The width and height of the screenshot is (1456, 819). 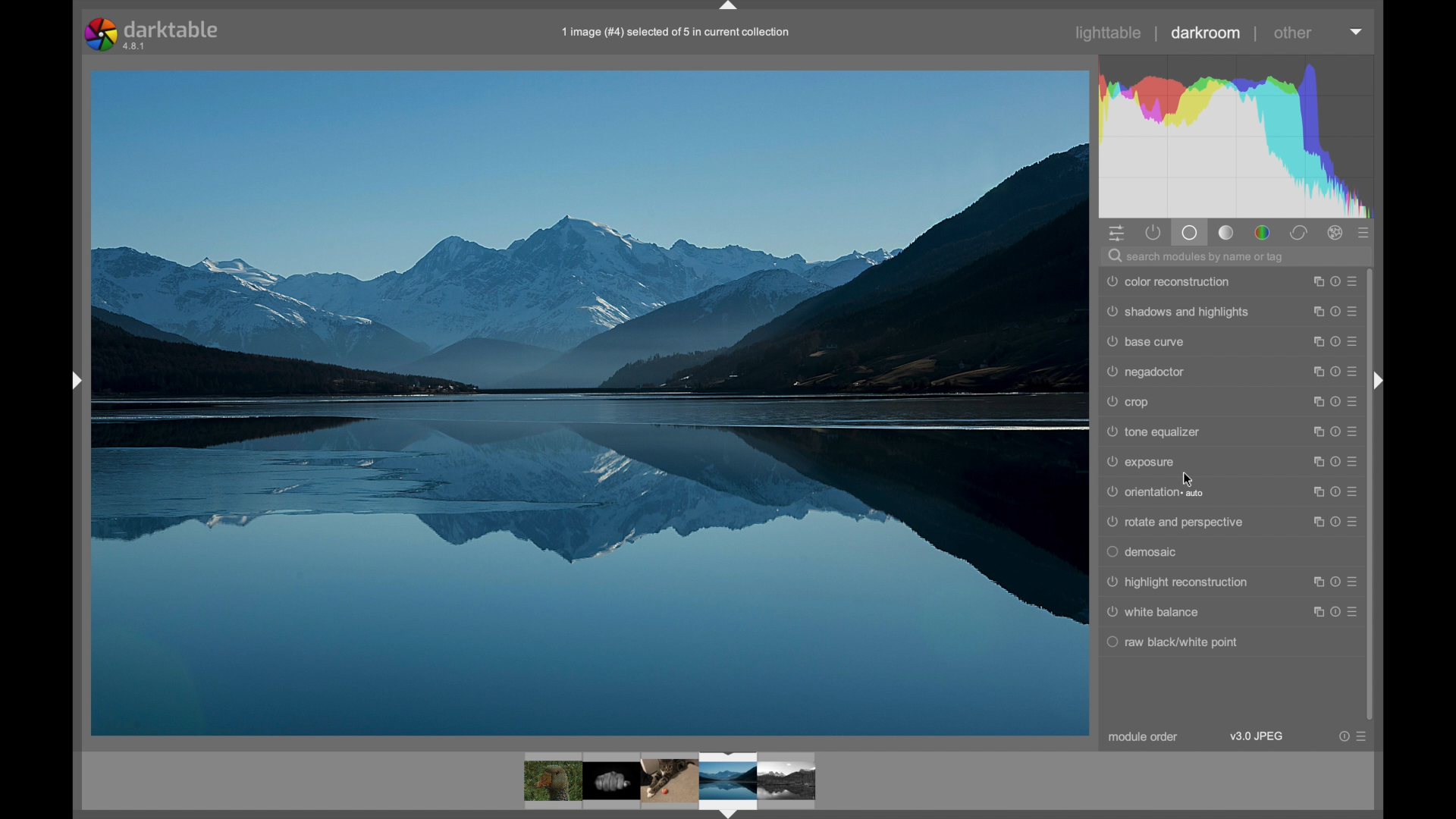 What do you see at coordinates (1235, 135) in the screenshot?
I see `histogram` at bounding box center [1235, 135].